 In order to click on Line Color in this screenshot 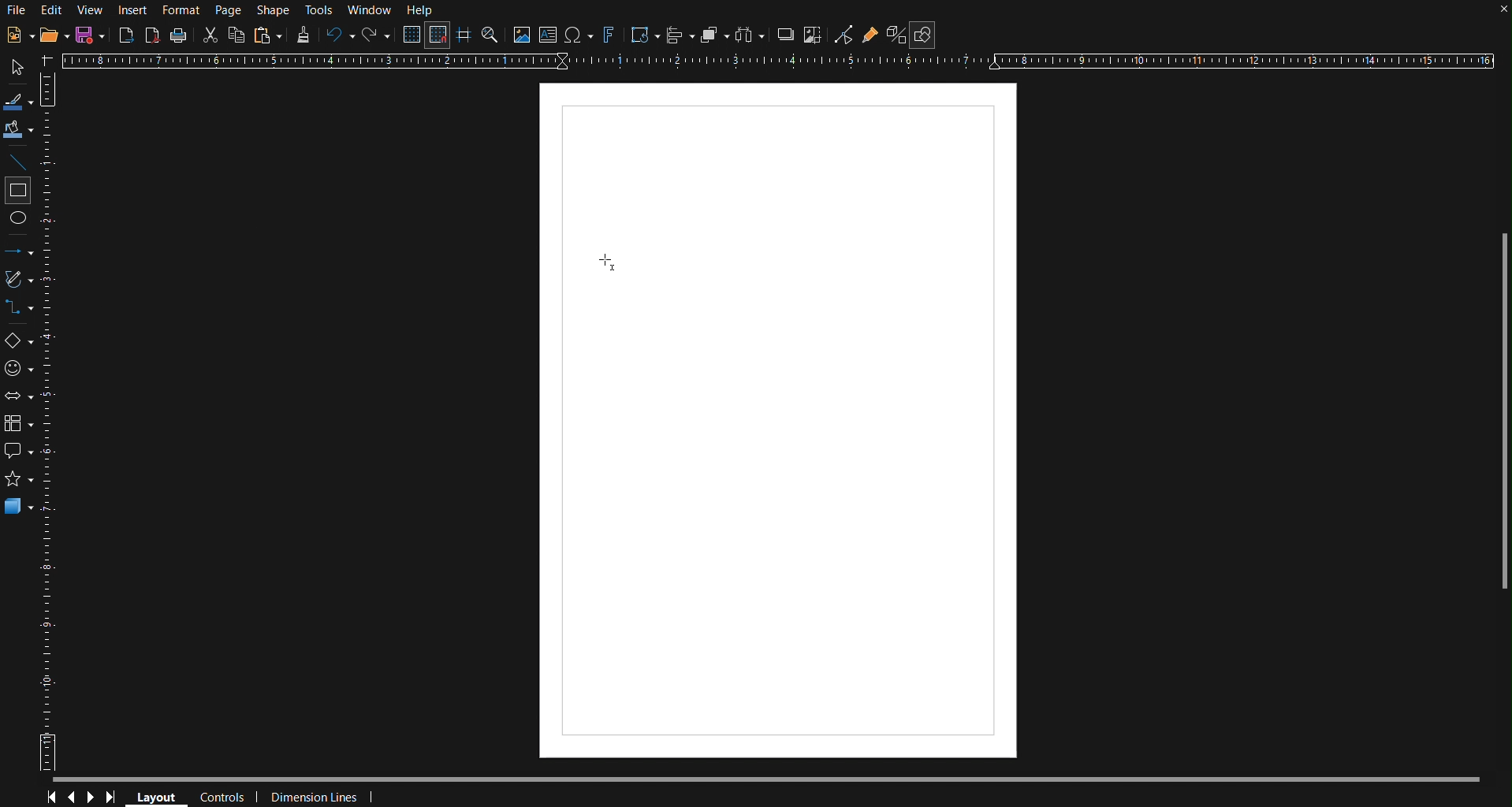, I will do `click(19, 99)`.